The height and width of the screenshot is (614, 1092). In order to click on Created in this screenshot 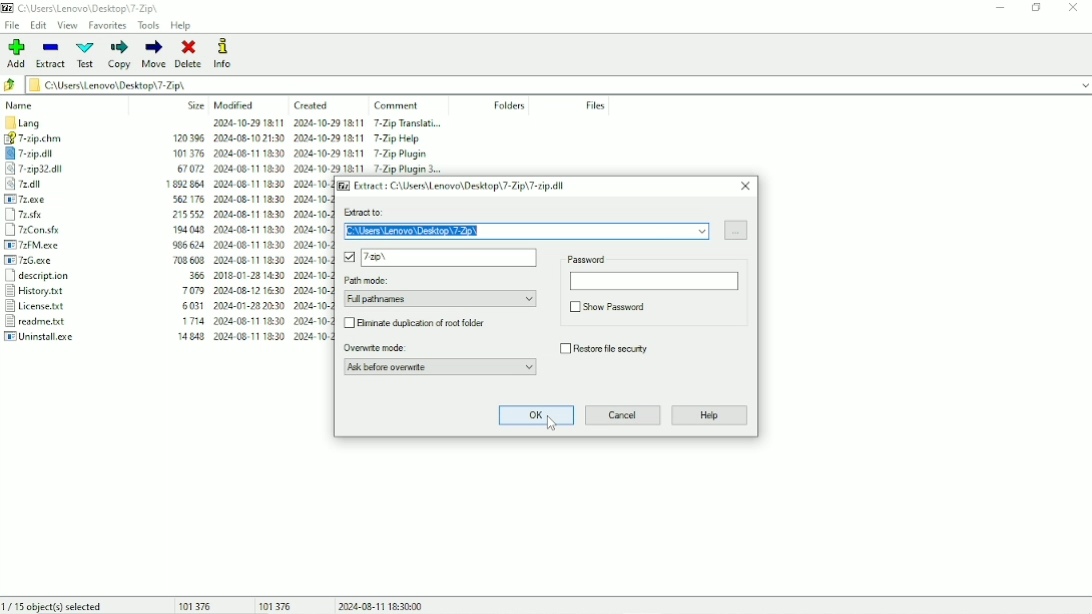, I will do `click(311, 106)`.